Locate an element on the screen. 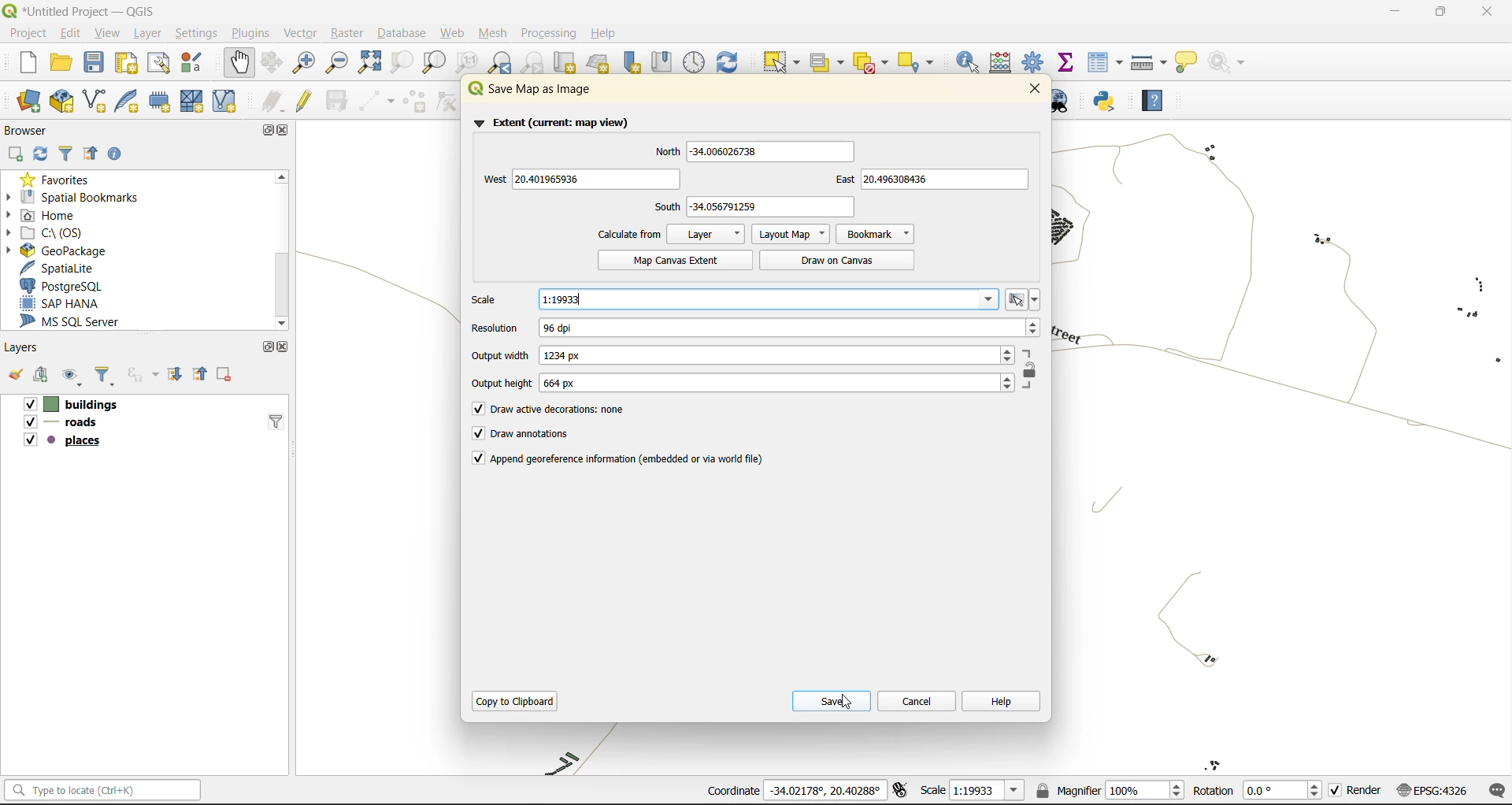  no action is located at coordinates (1230, 62).